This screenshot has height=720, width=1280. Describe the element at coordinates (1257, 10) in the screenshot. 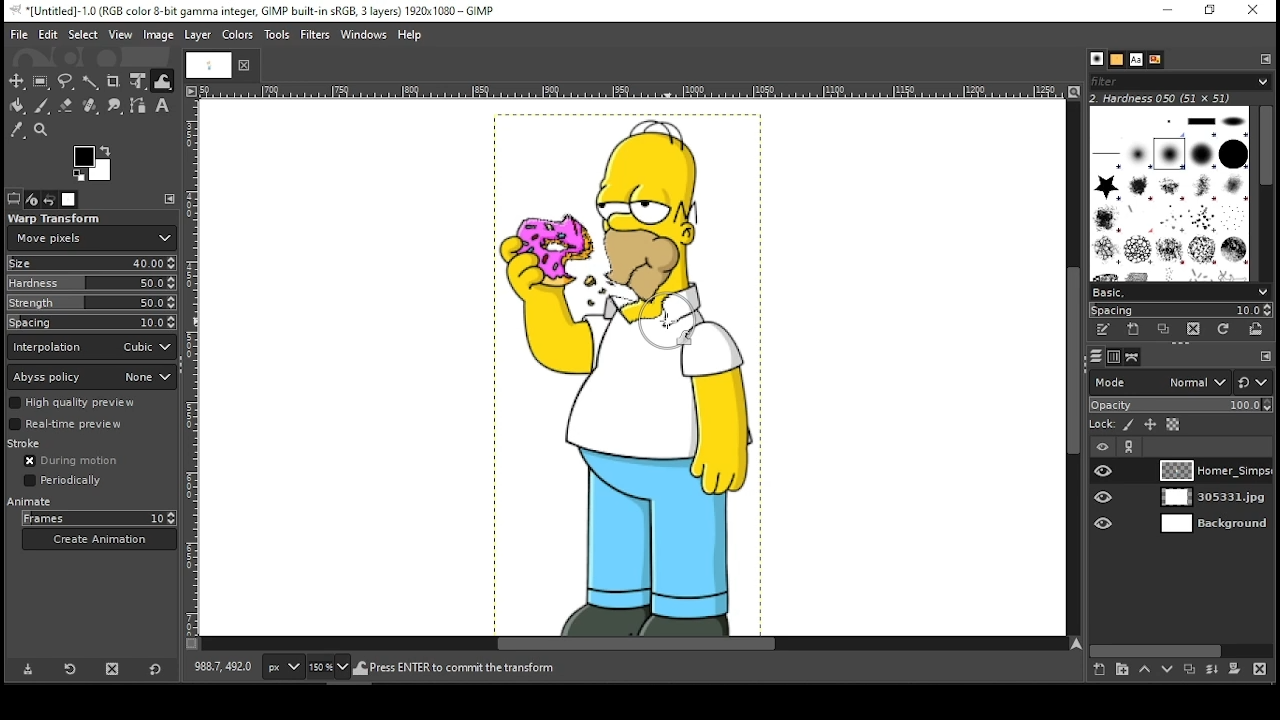

I see `close window` at that location.